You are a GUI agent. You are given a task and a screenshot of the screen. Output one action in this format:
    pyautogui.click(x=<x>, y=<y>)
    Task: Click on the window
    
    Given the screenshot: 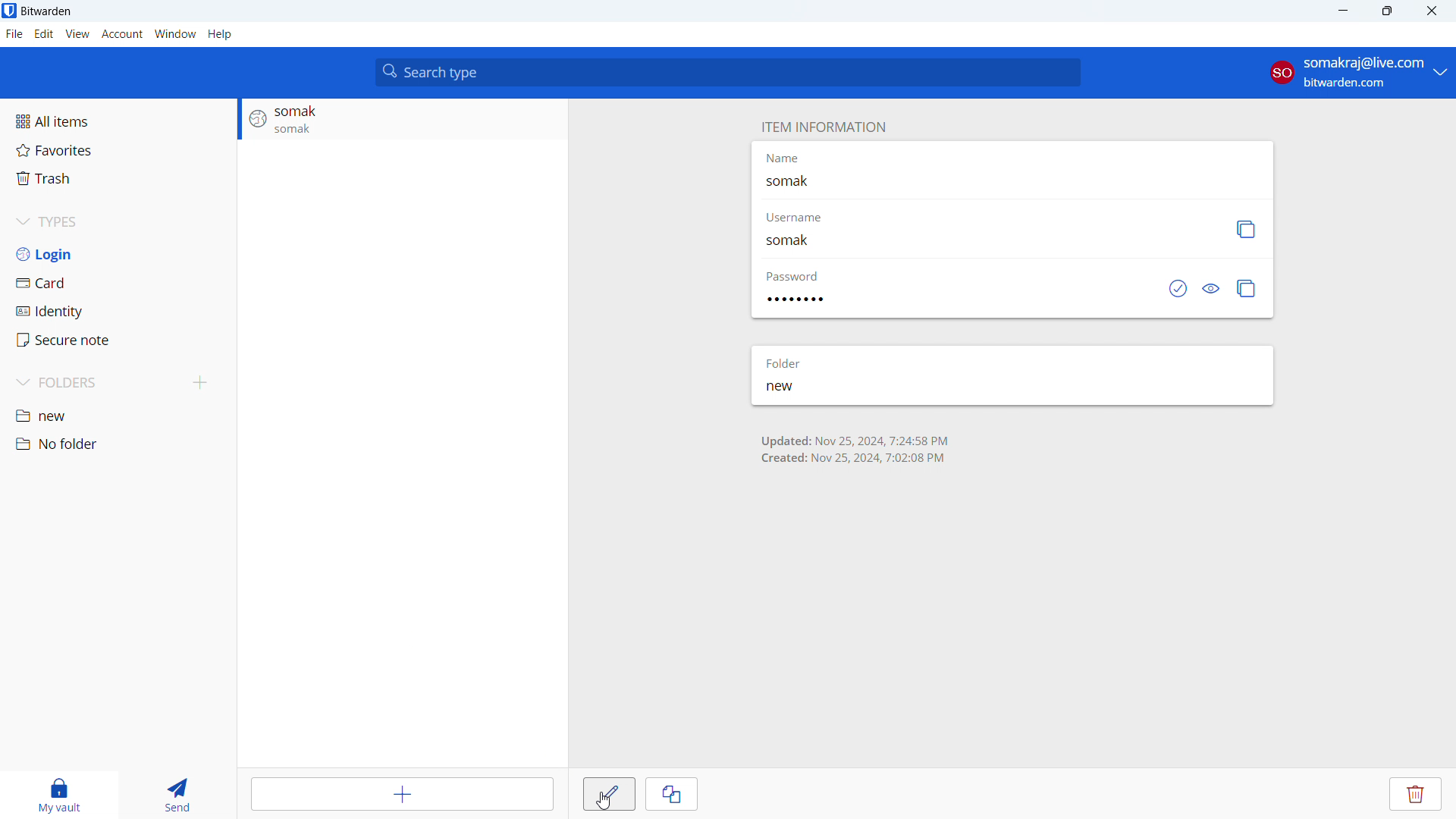 What is the action you would take?
    pyautogui.click(x=175, y=33)
    